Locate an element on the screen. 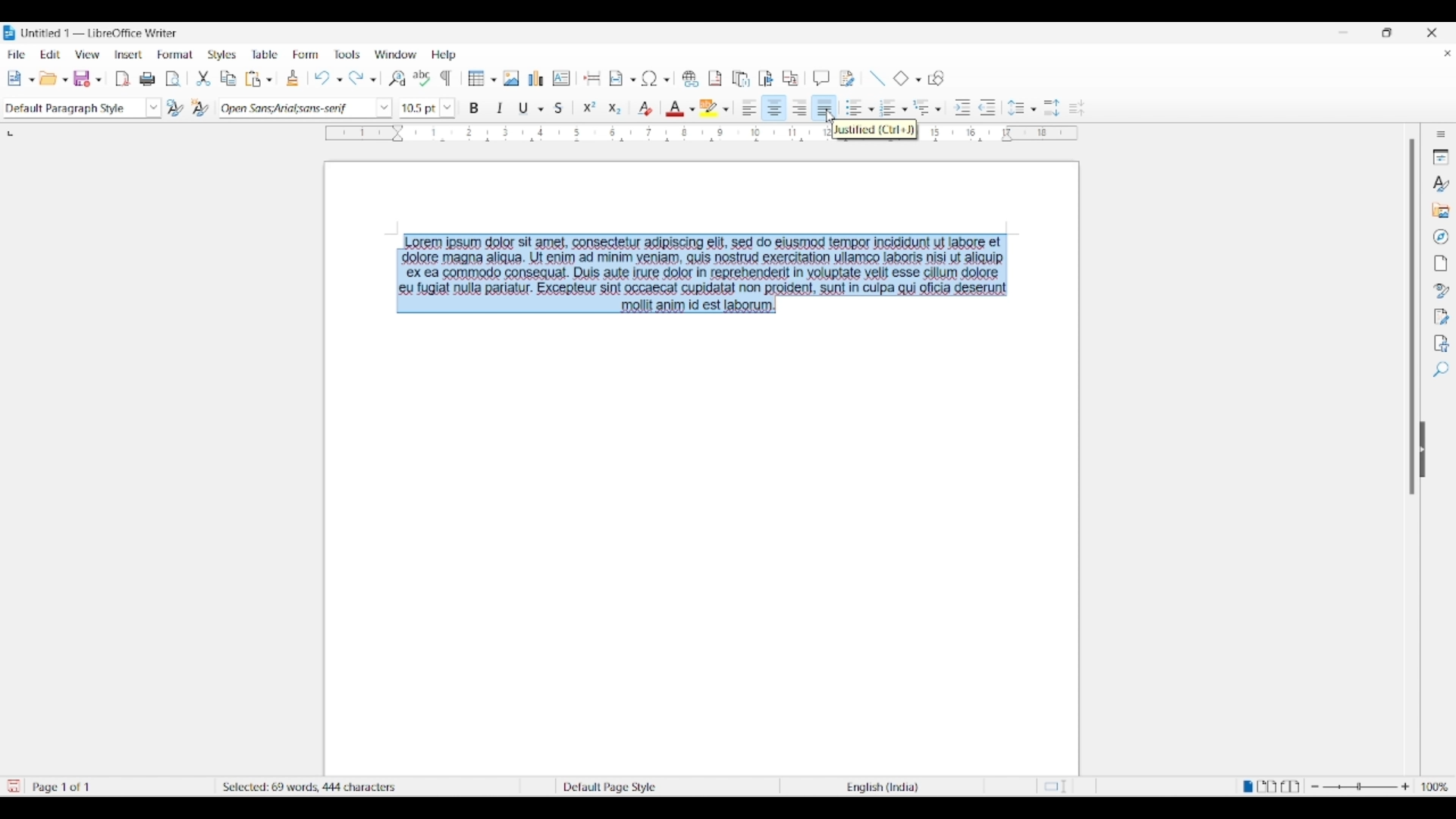 Image resolution: width=1456 pixels, height=819 pixels. Insert table is located at coordinates (482, 78).